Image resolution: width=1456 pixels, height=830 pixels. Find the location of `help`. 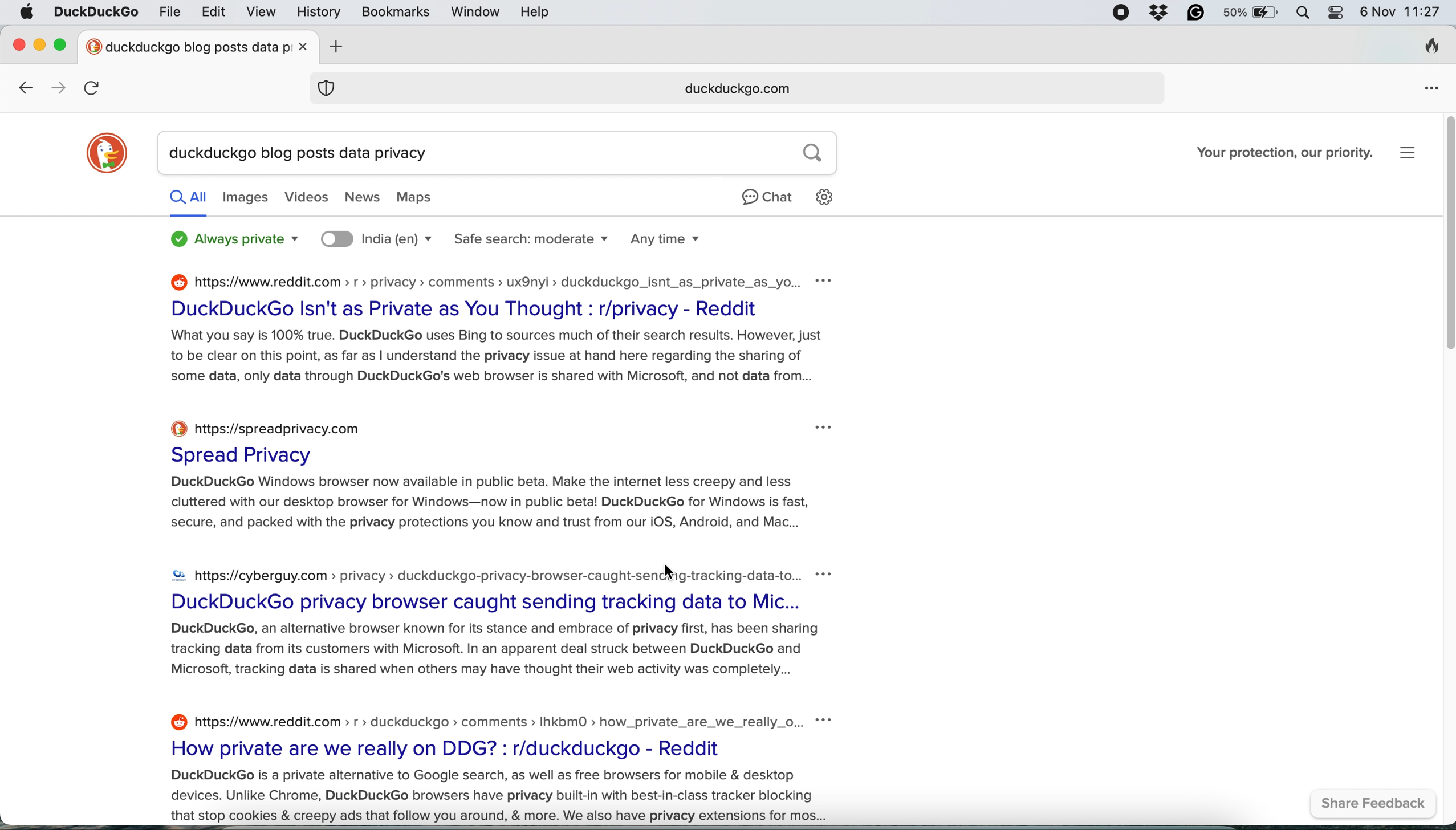

help is located at coordinates (535, 12).